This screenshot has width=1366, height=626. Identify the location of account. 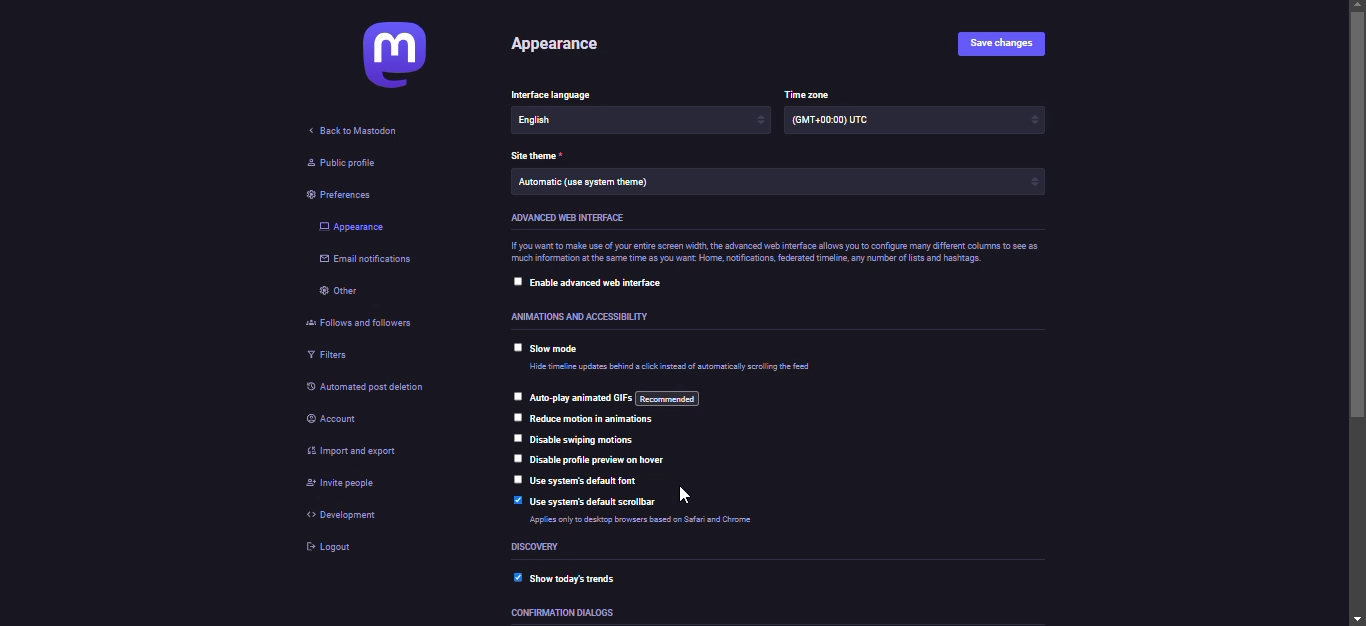
(337, 422).